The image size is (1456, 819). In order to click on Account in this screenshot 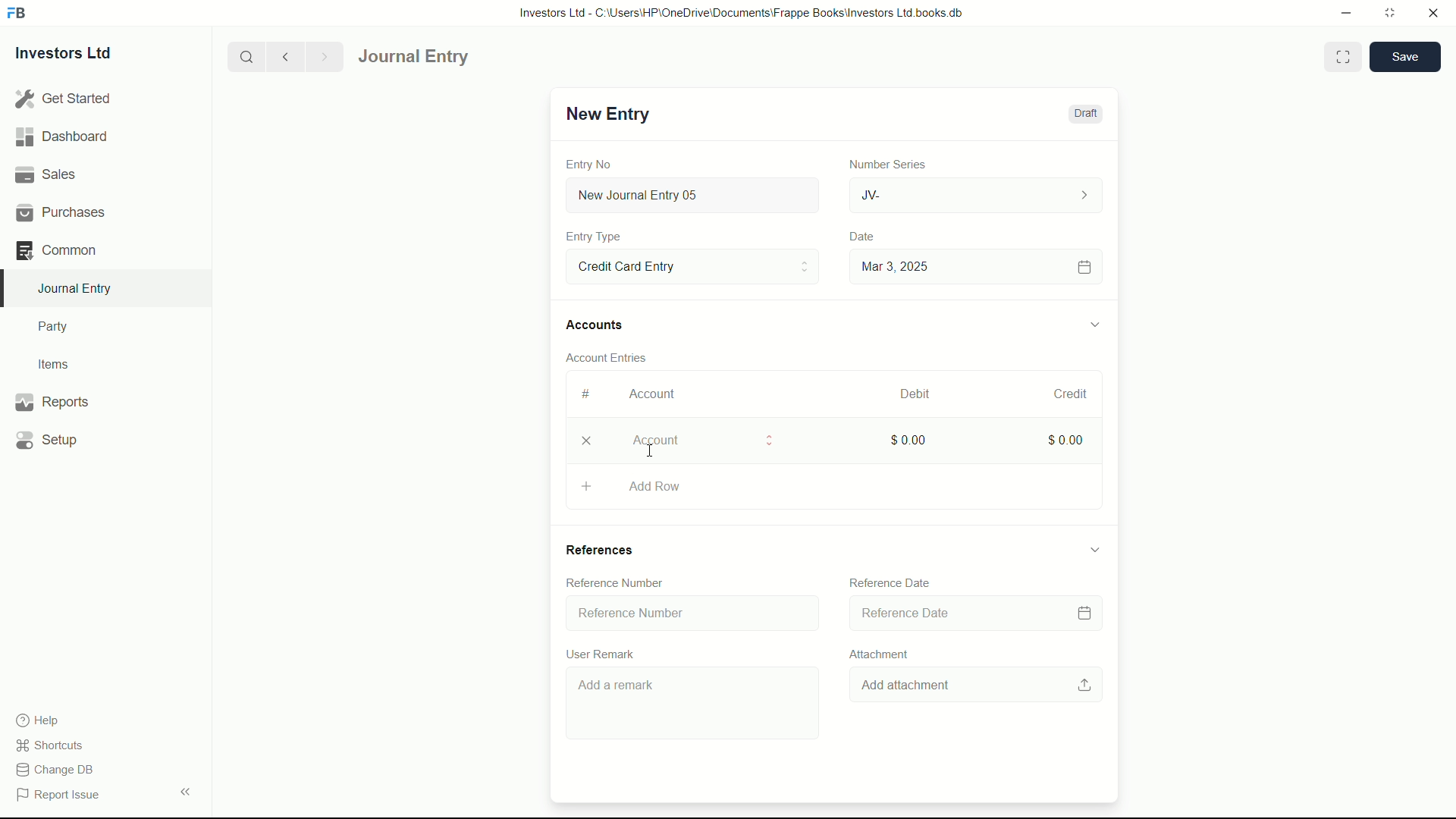, I will do `click(653, 394)`.